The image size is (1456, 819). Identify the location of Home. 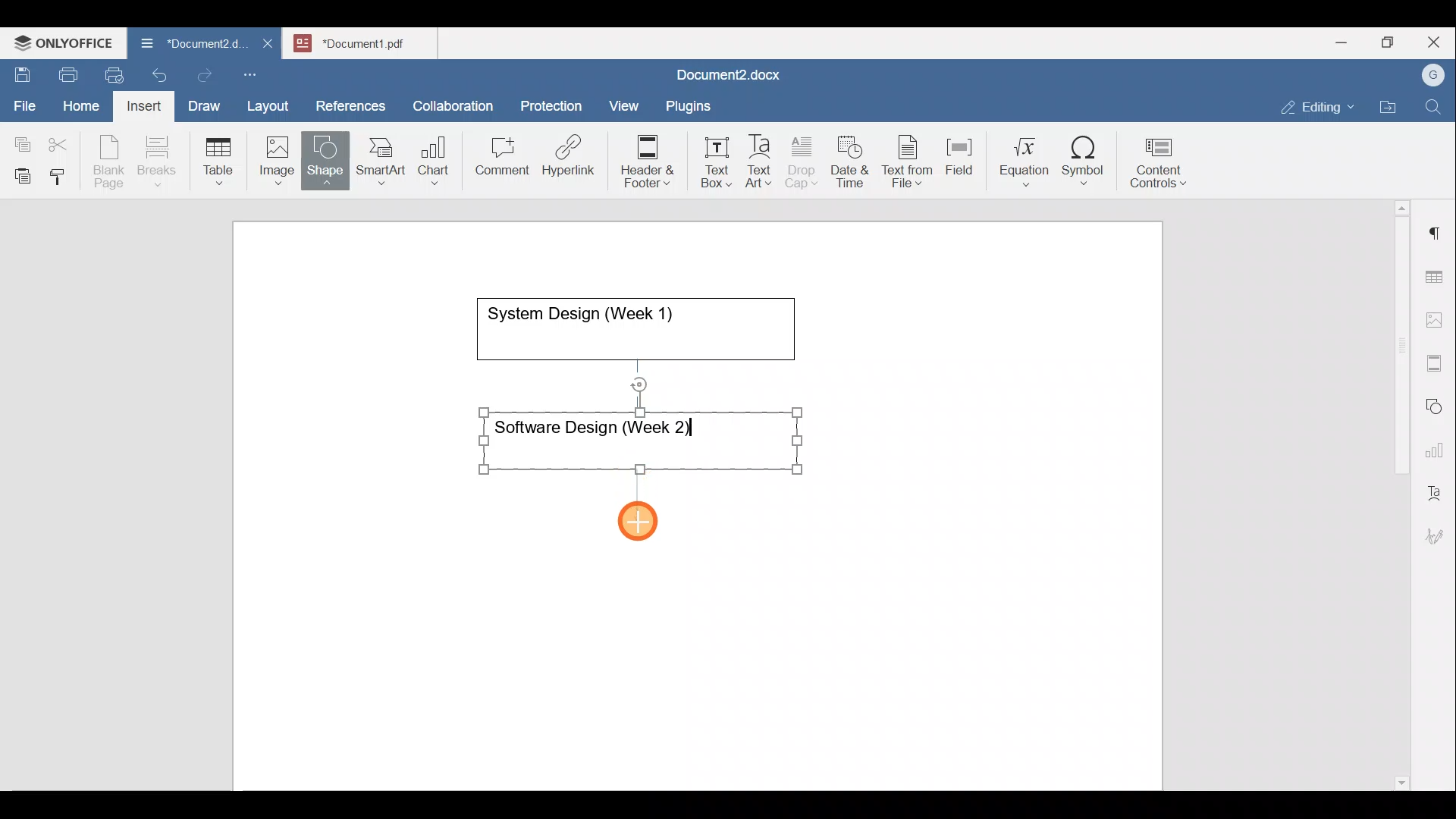
(82, 105).